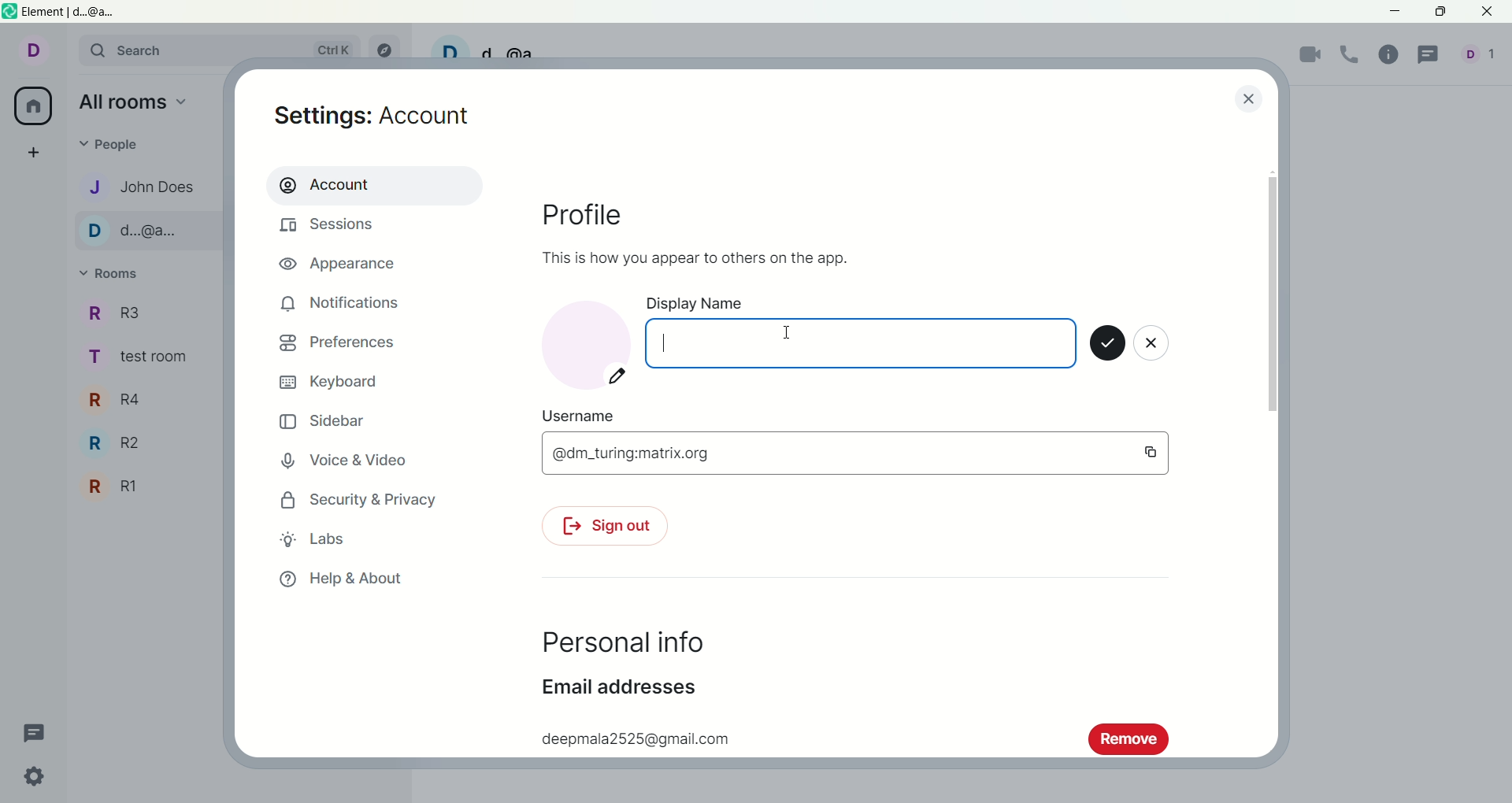  I want to click on close, so click(1247, 98).